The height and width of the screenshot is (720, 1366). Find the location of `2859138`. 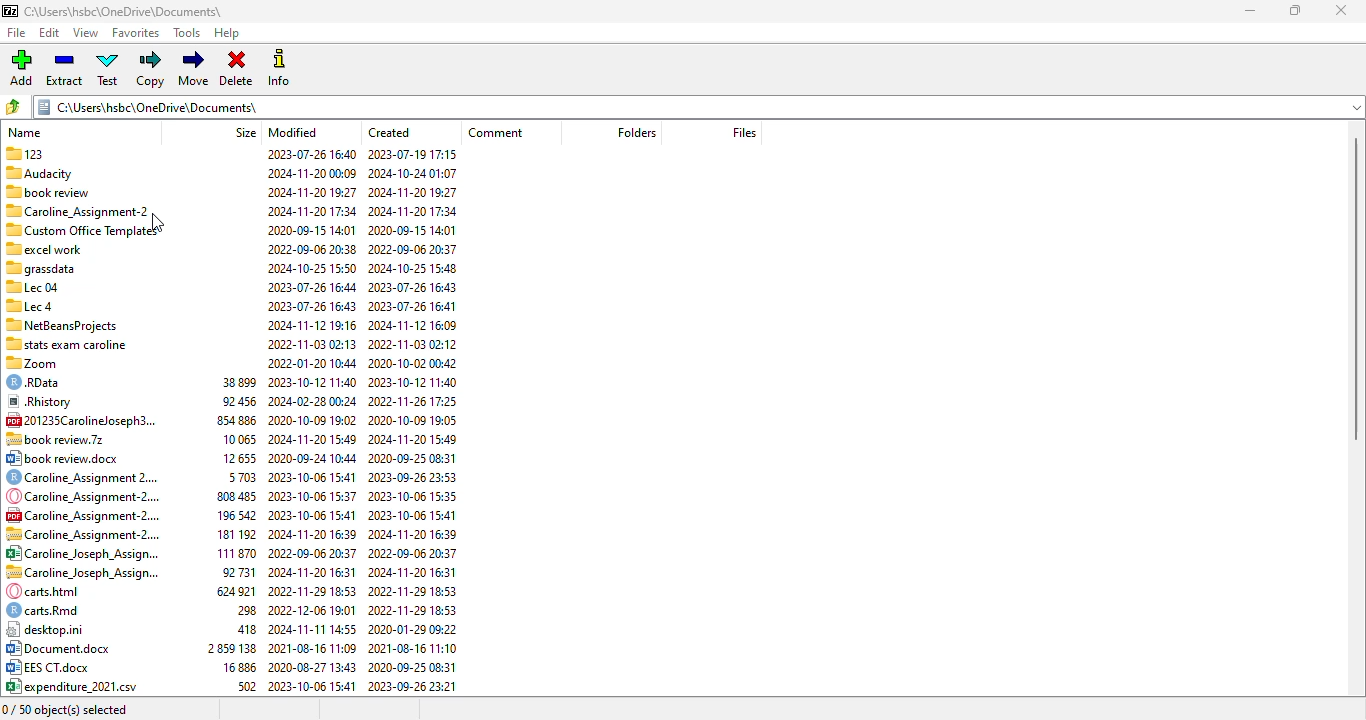

2859138 is located at coordinates (229, 649).